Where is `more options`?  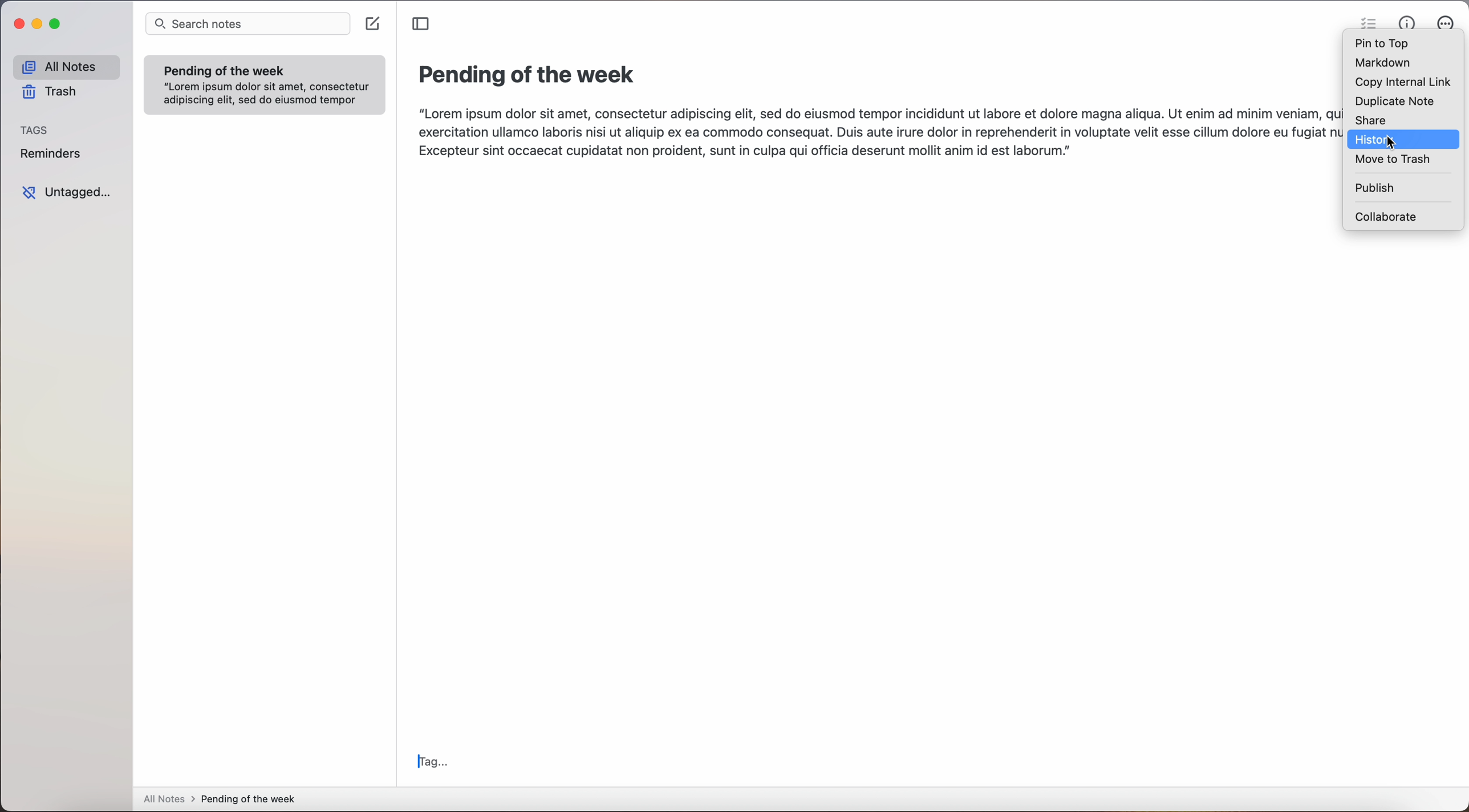
more options is located at coordinates (1444, 19).